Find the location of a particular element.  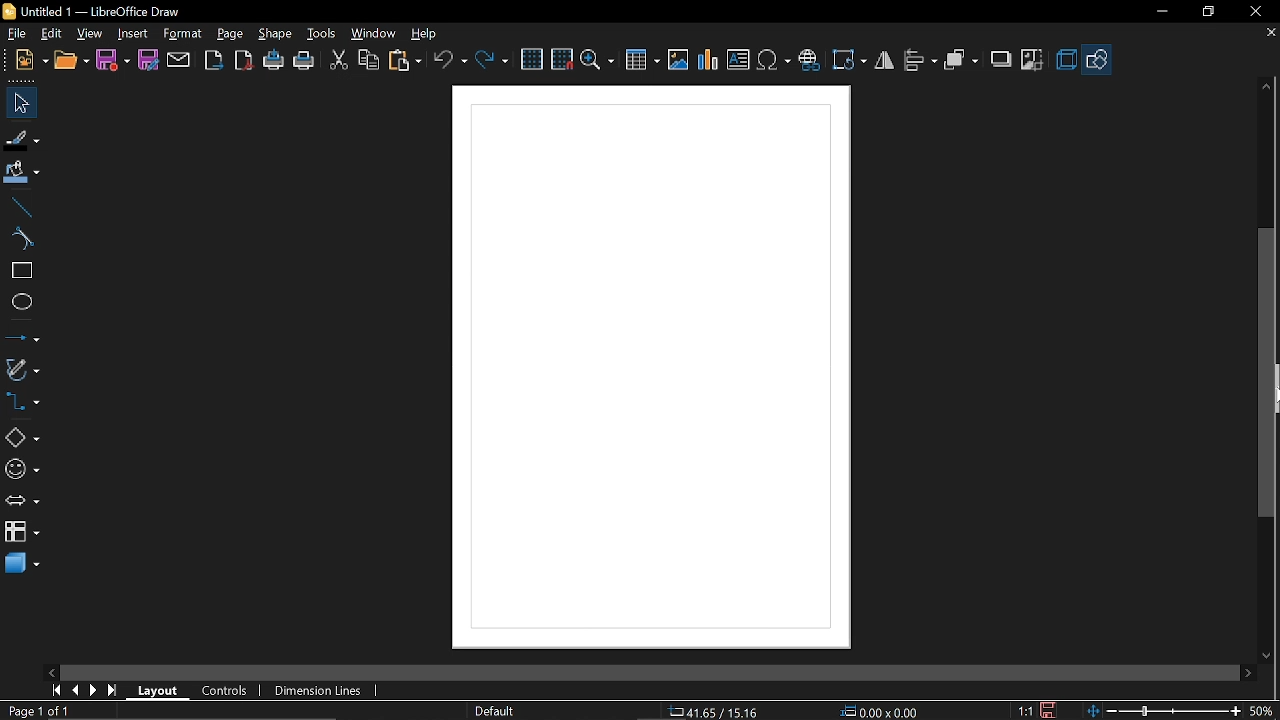

go to last page is located at coordinates (114, 692).